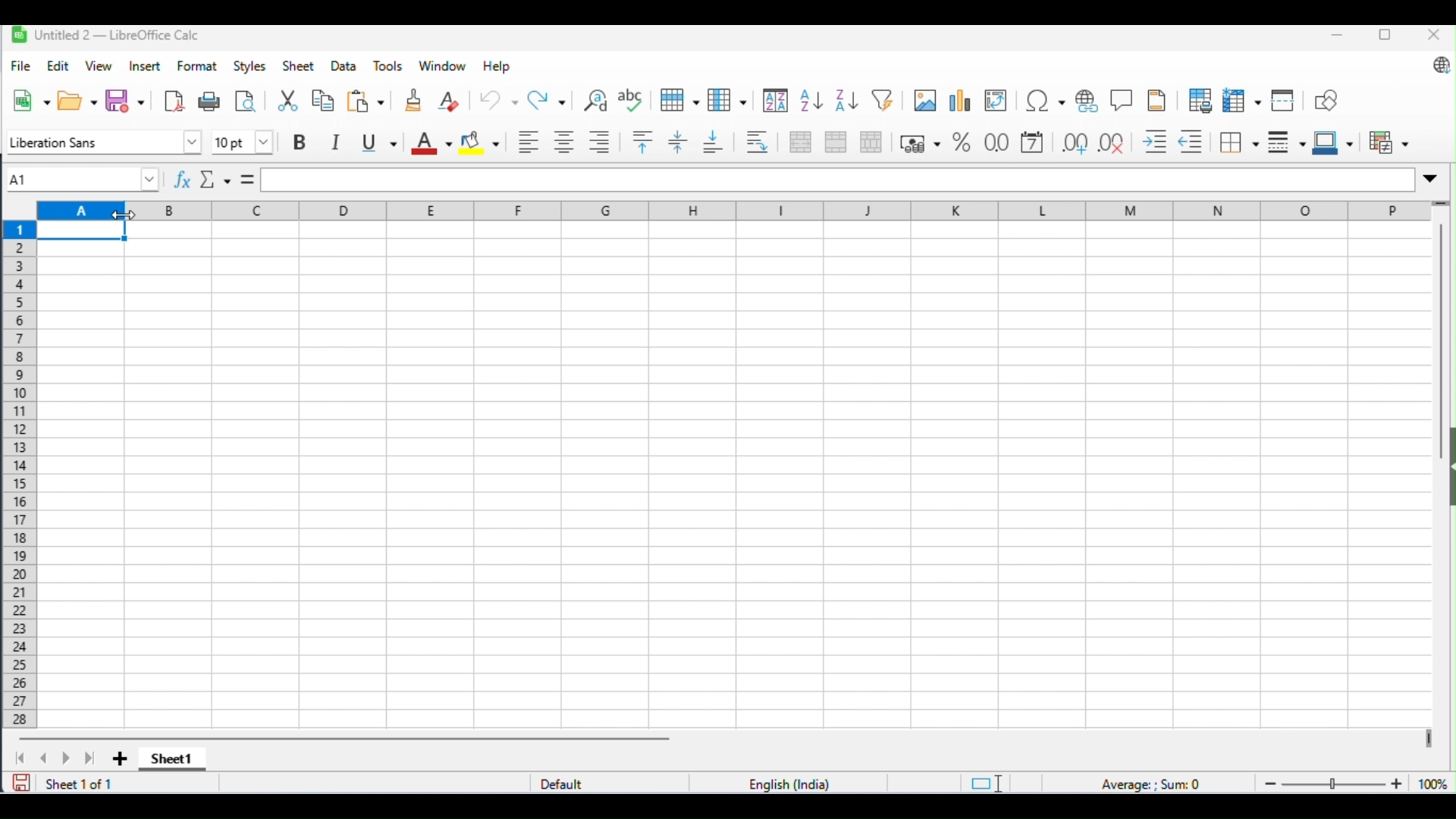  What do you see at coordinates (1442, 204) in the screenshot?
I see `drag to view more rows` at bounding box center [1442, 204].